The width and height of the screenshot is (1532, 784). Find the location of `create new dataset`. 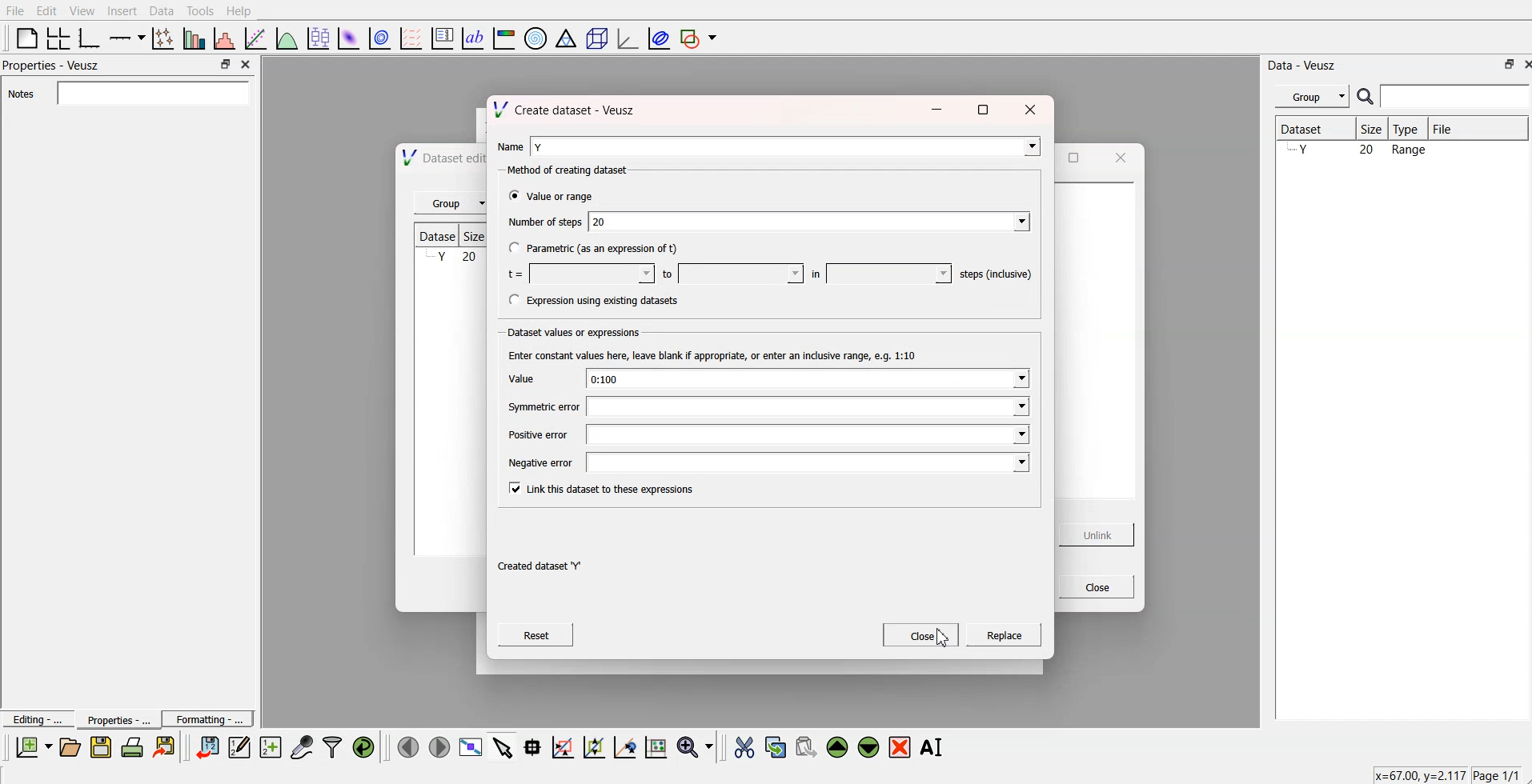

create new dataset is located at coordinates (270, 745).